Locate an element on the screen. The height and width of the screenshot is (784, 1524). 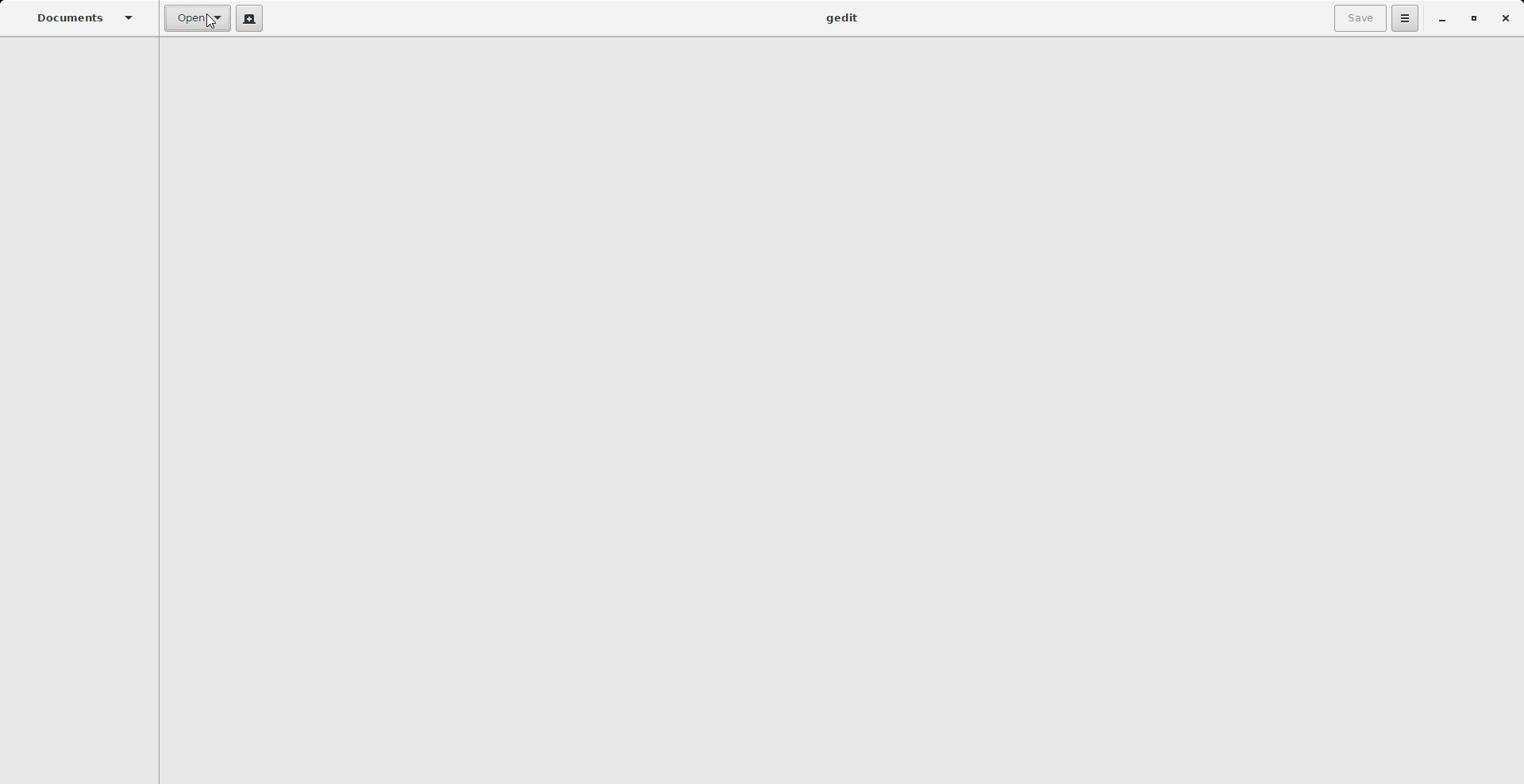
Cursor is located at coordinates (209, 24).